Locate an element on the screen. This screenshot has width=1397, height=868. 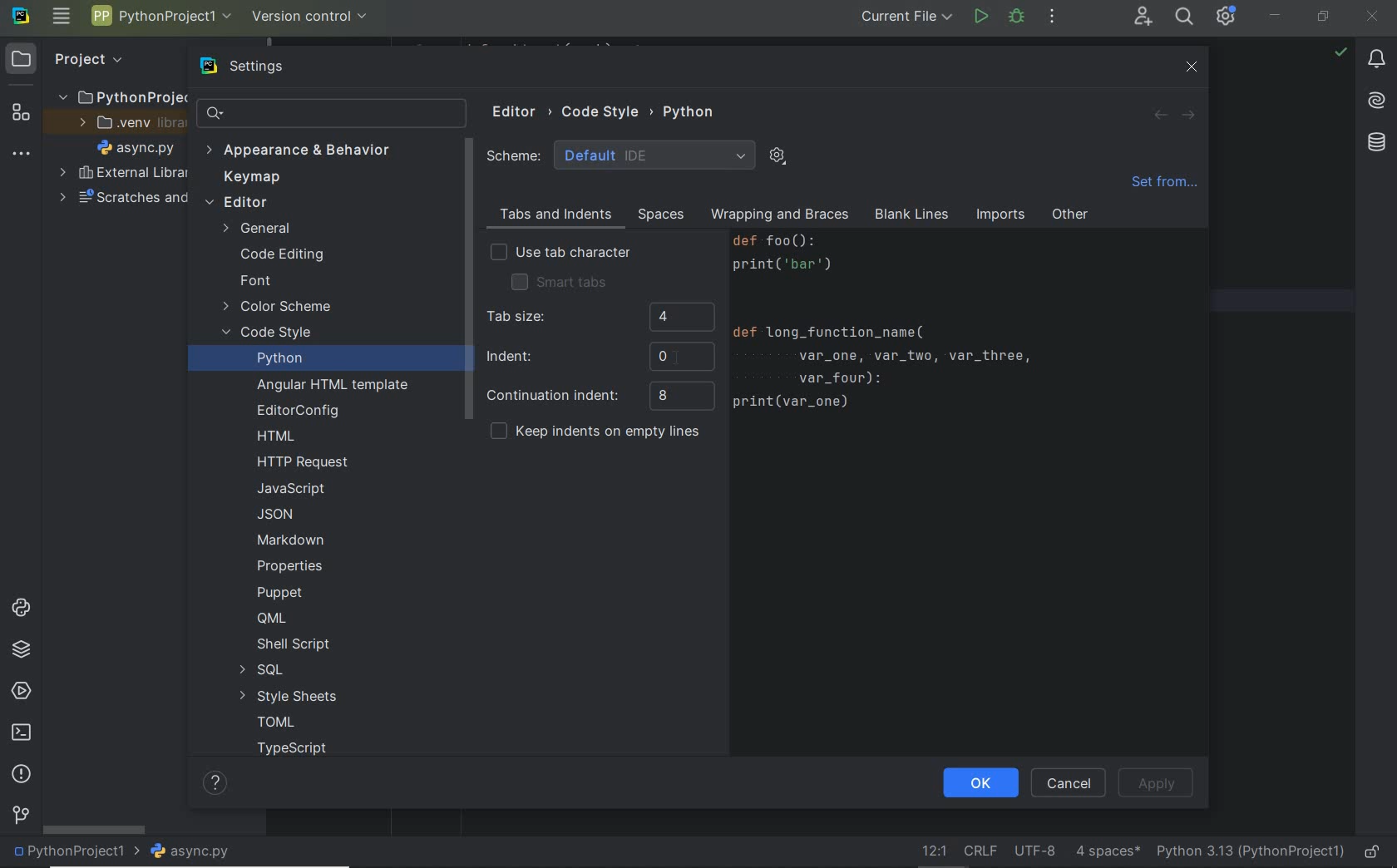
Editoronfig is located at coordinates (294, 411).